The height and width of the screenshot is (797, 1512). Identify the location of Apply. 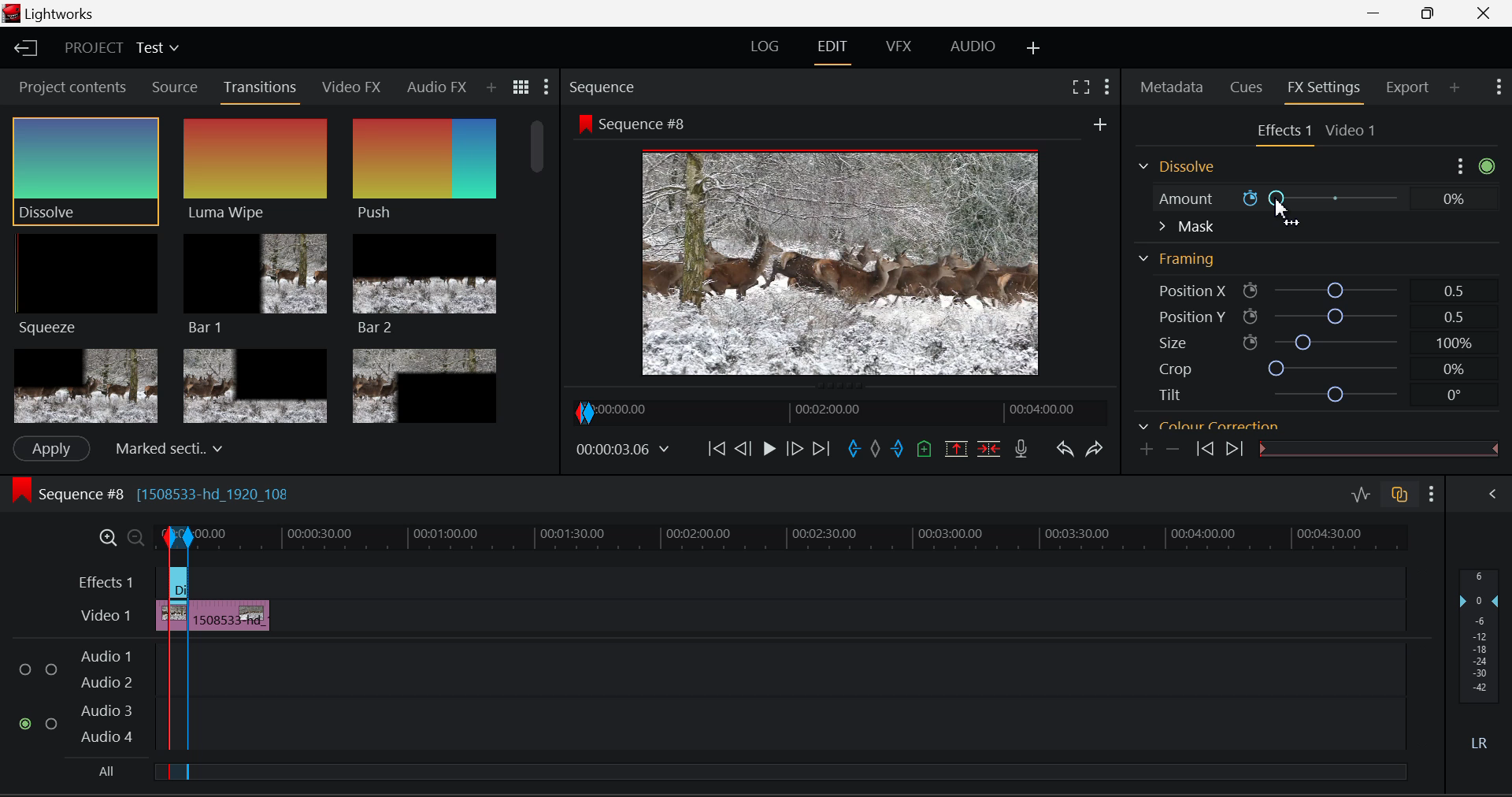
(52, 449).